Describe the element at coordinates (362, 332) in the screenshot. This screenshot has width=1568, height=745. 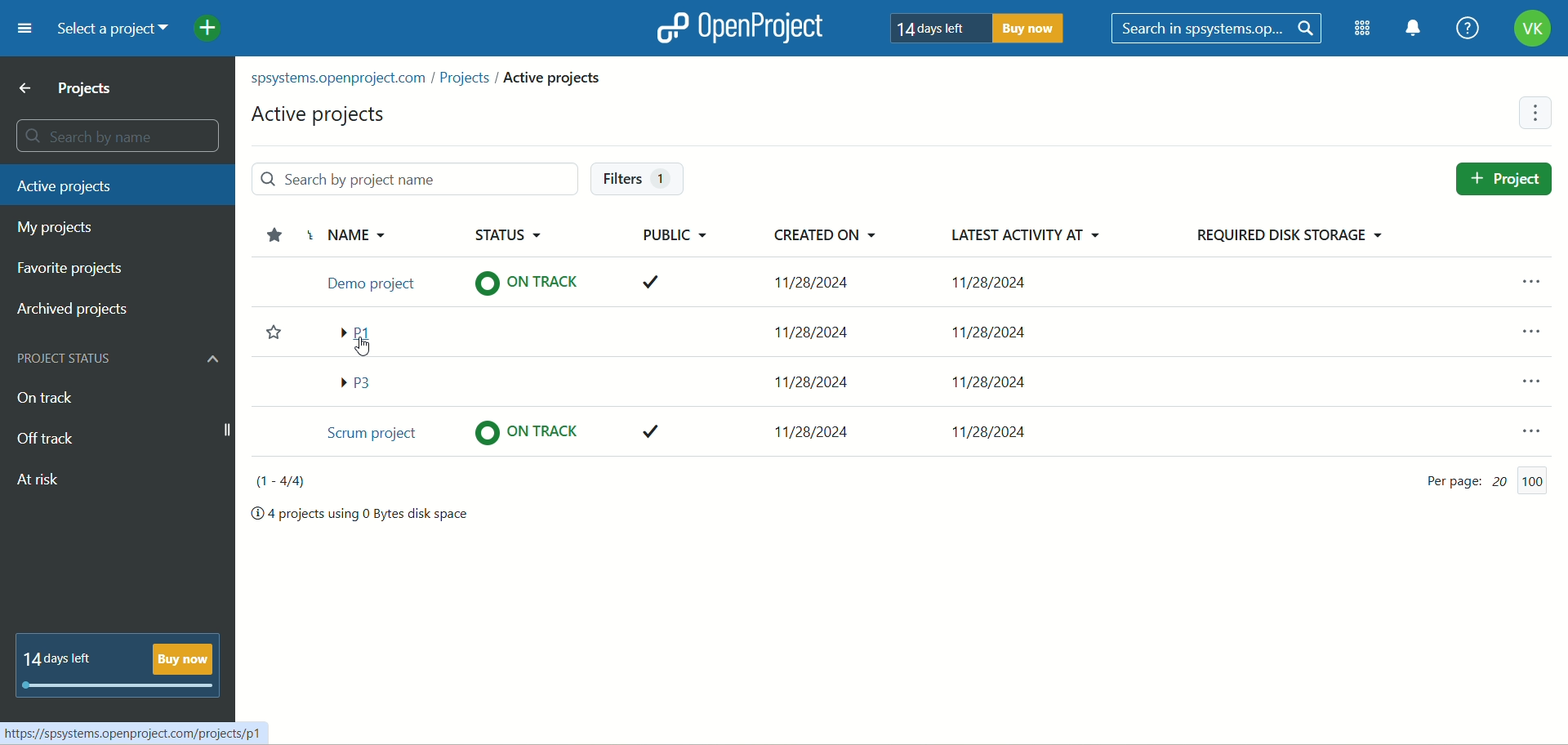
I see `p1` at that location.